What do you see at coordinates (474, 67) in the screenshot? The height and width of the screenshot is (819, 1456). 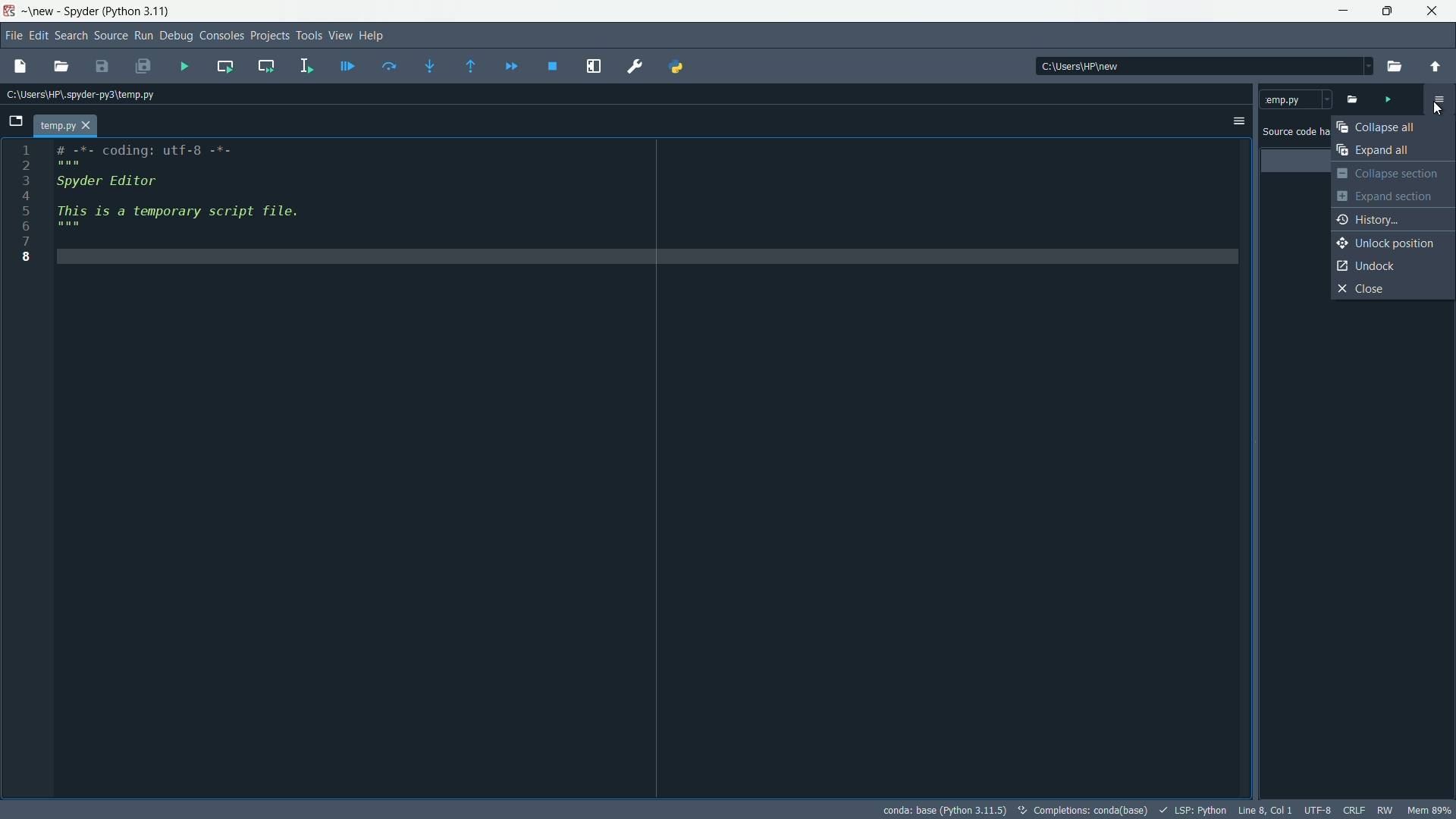 I see `continue execution until next function` at bounding box center [474, 67].